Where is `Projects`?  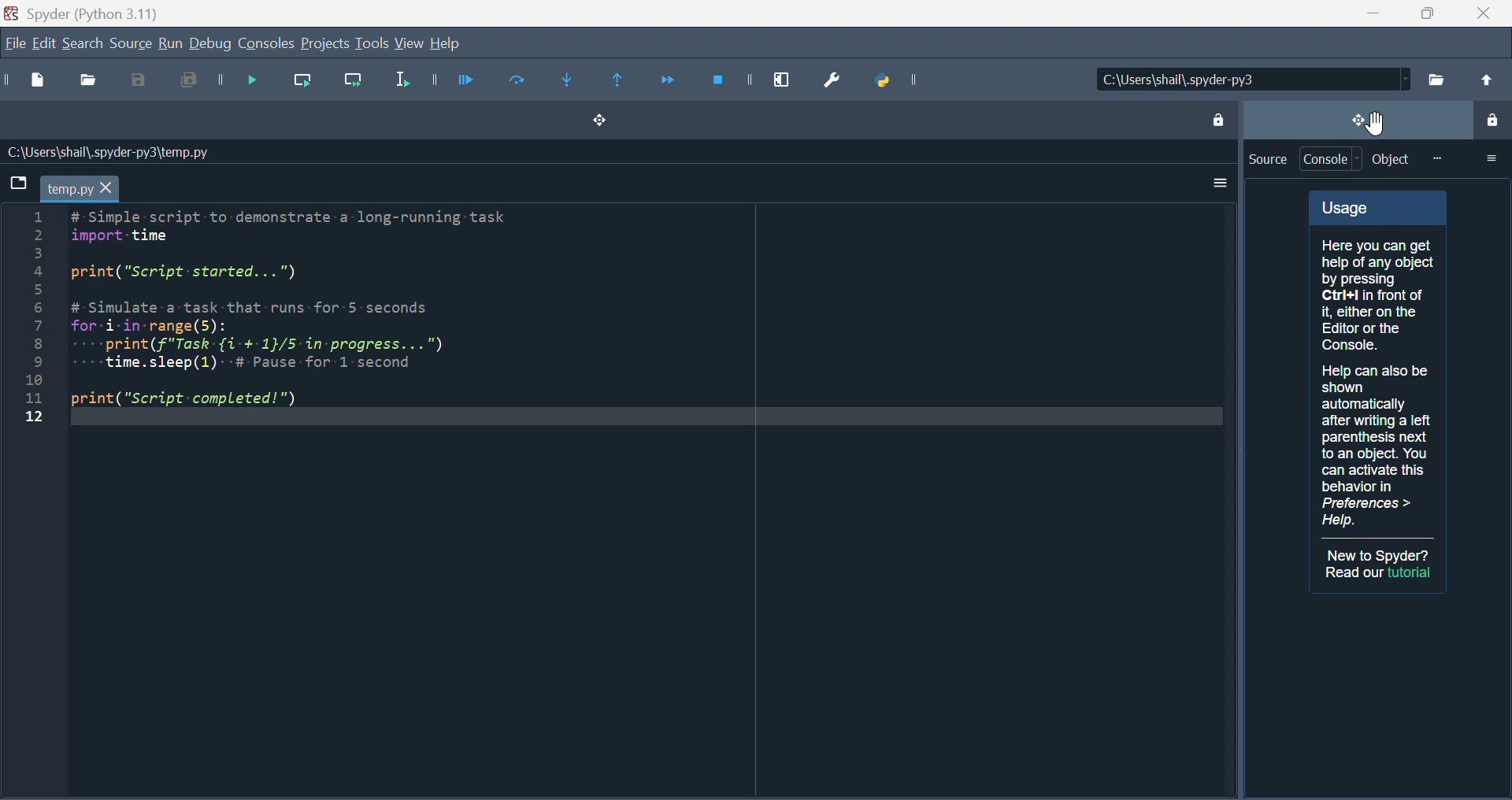
Projects is located at coordinates (324, 44).